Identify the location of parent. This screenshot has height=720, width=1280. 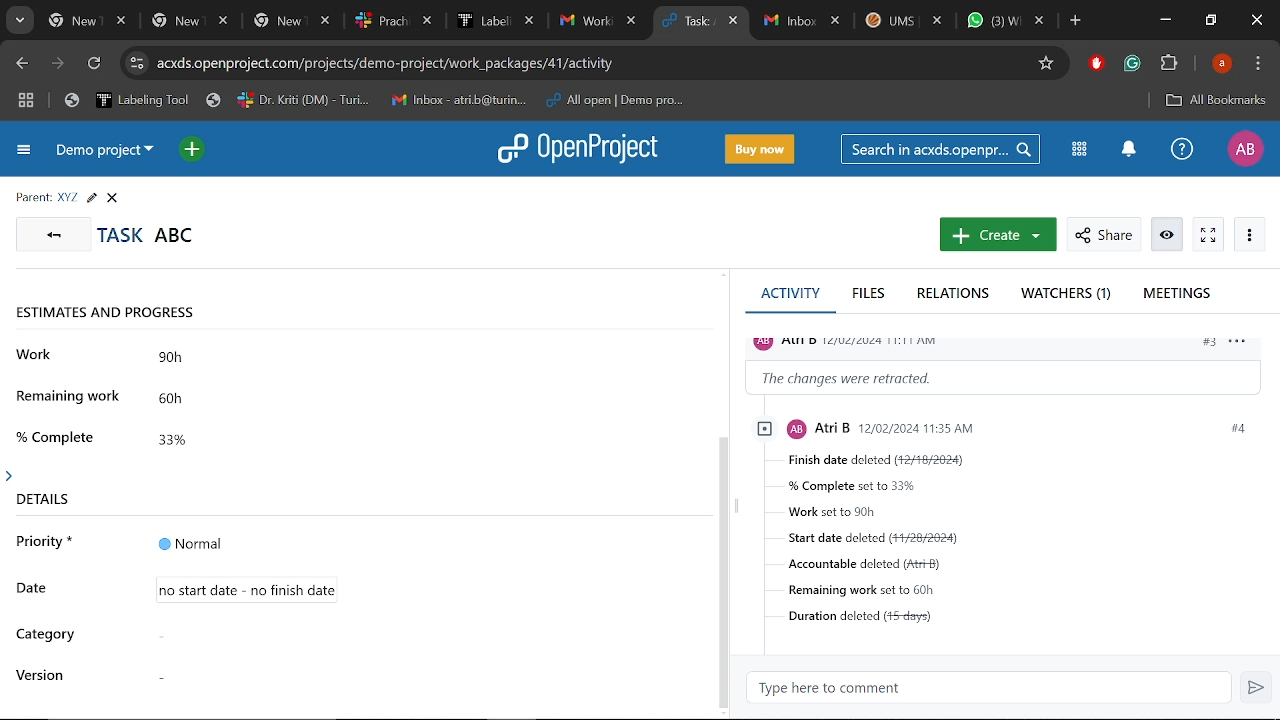
(33, 198).